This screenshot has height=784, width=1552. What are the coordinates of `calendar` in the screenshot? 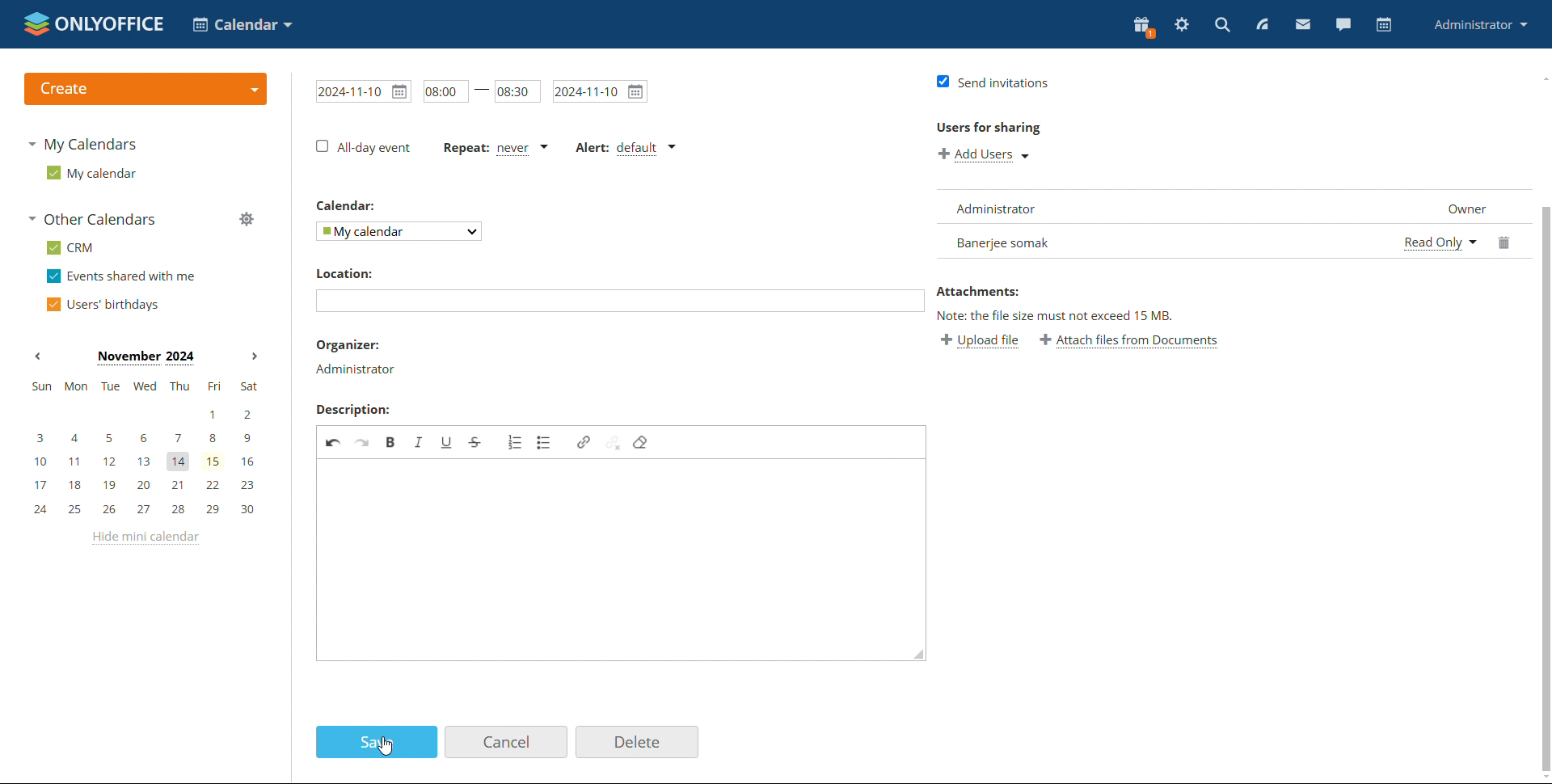 It's located at (1382, 25).